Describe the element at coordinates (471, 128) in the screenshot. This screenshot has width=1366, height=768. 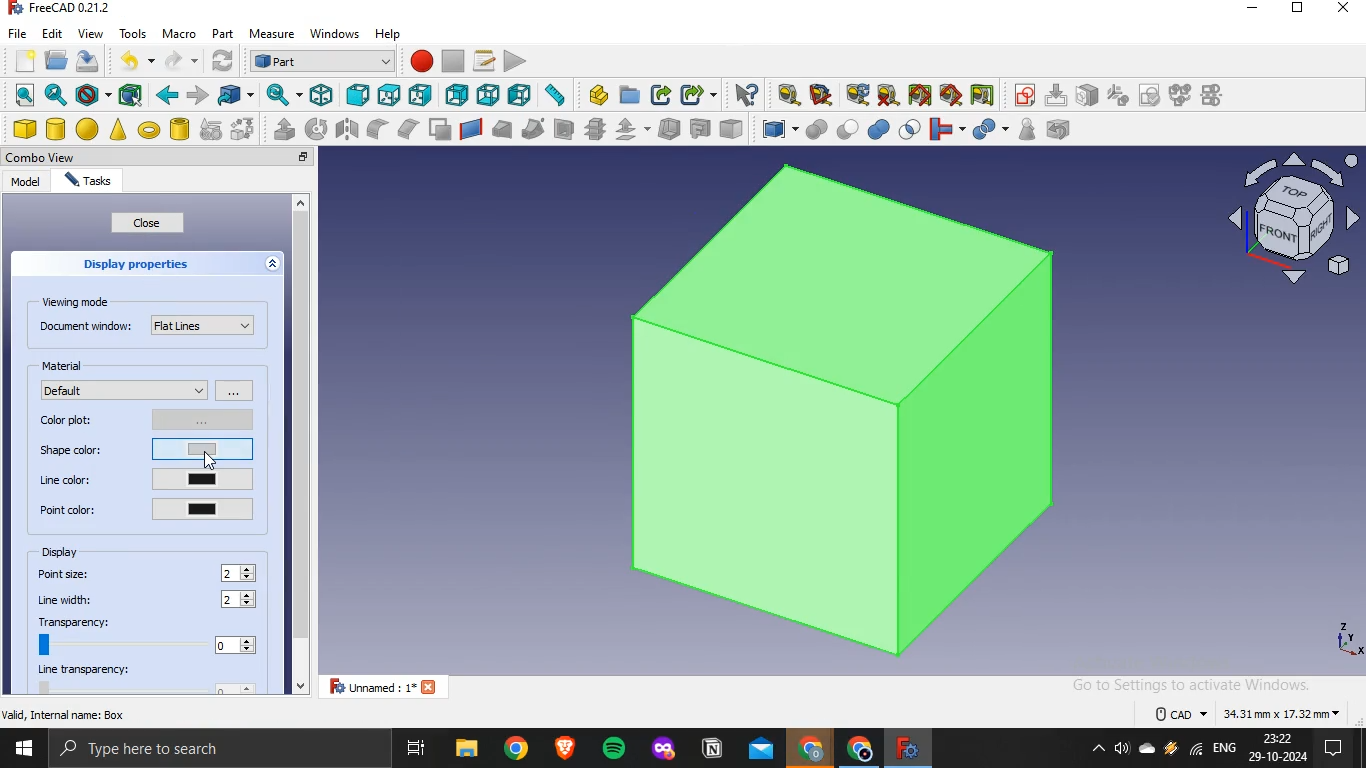
I see `create a ruled surface` at that location.